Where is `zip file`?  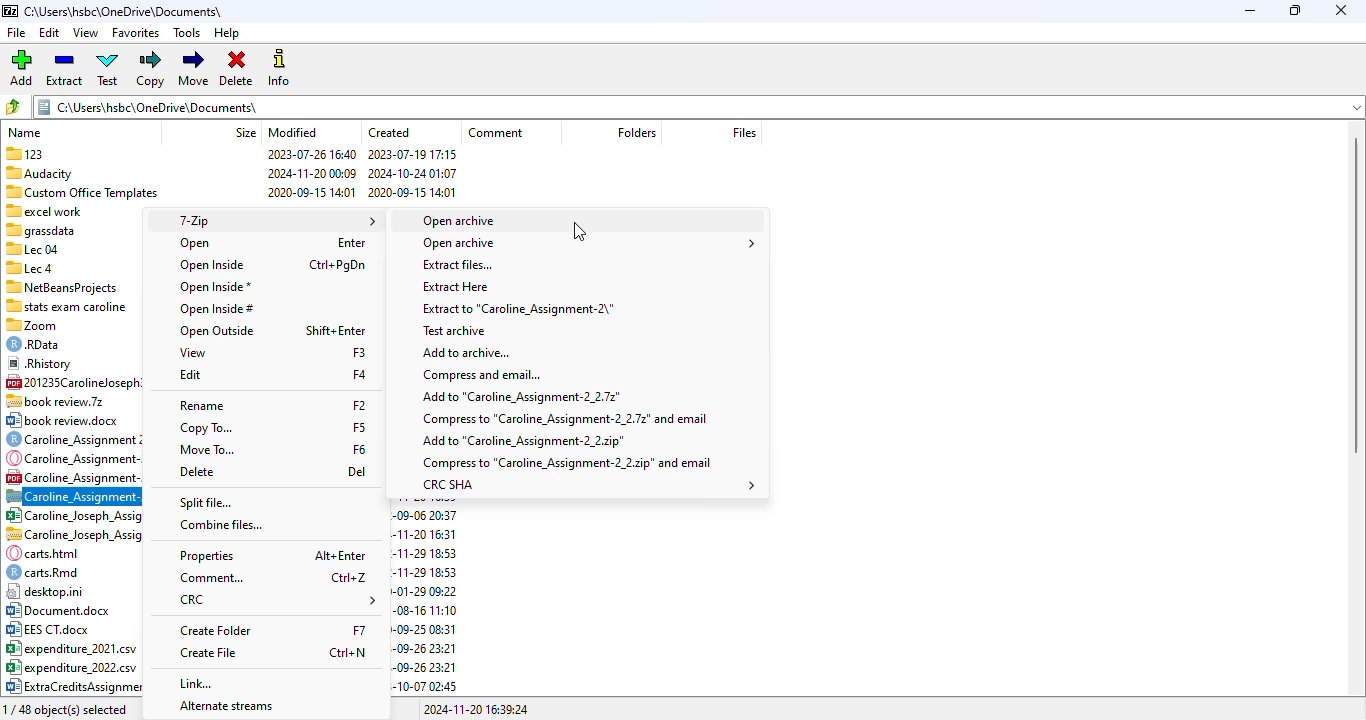
zip file is located at coordinates (73, 495).